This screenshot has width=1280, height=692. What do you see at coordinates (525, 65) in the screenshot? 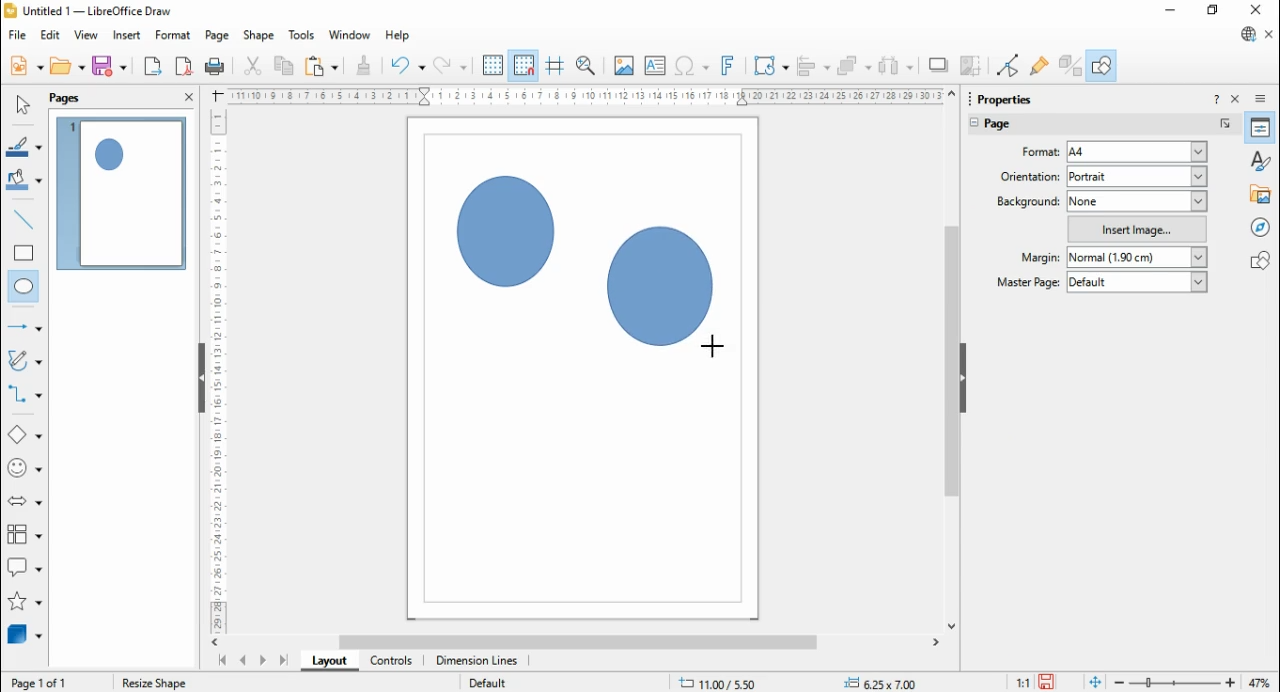
I see `snap to grid` at bounding box center [525, 65].